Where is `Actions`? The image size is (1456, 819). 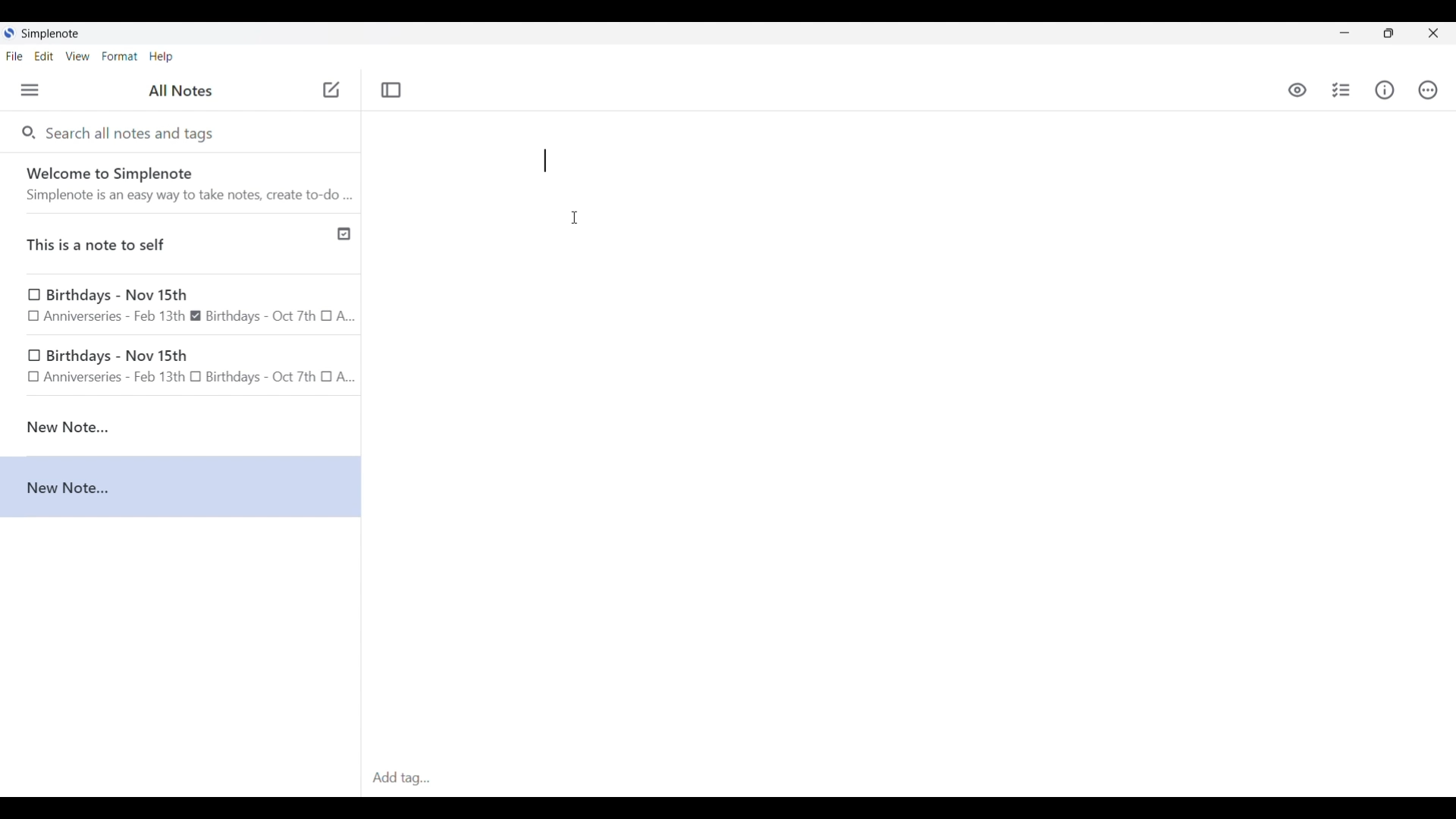
Actions is located at coordinates (1427, 90).